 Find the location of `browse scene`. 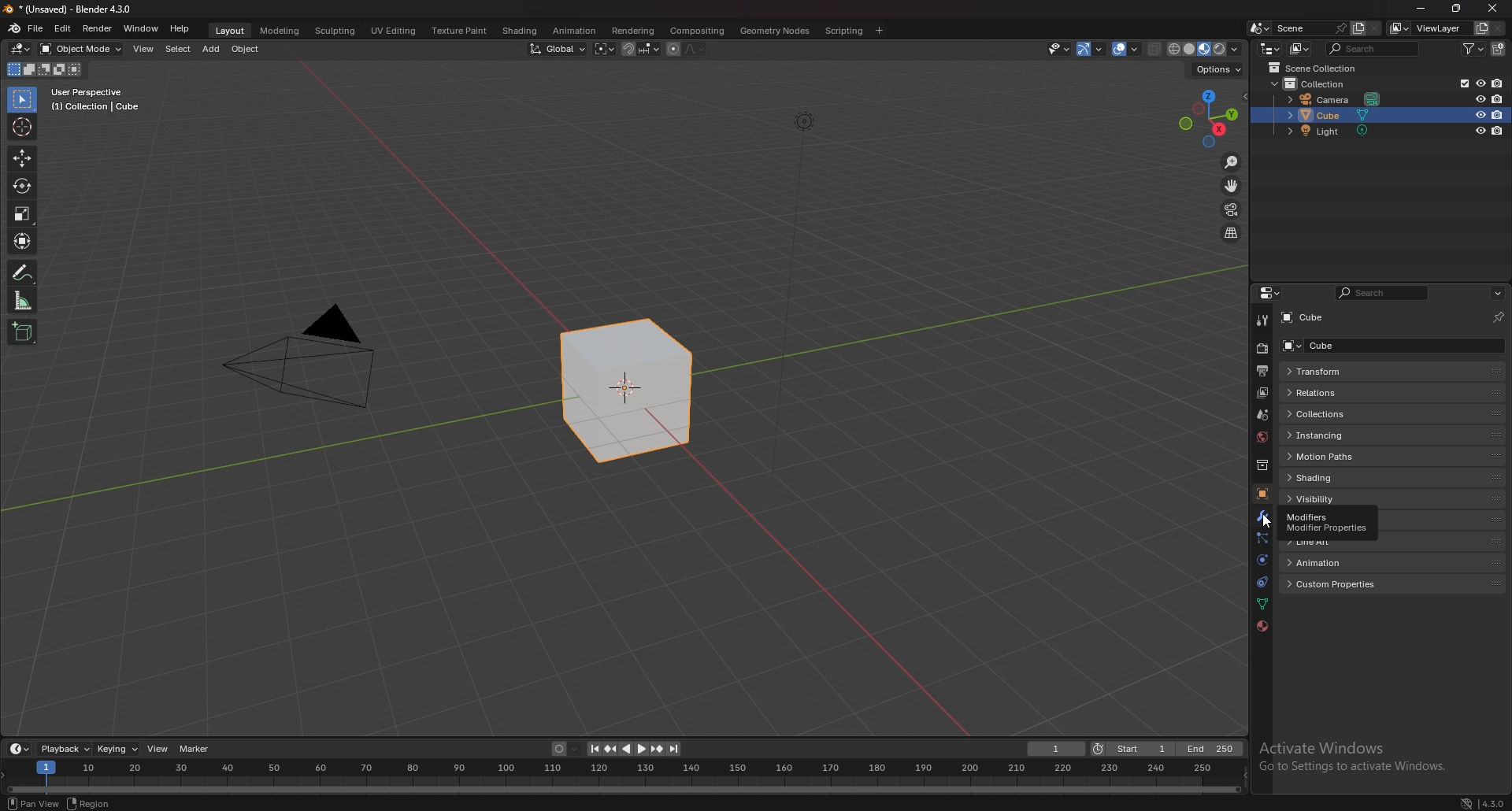

browse scene is located at coordinates (1260, 28).